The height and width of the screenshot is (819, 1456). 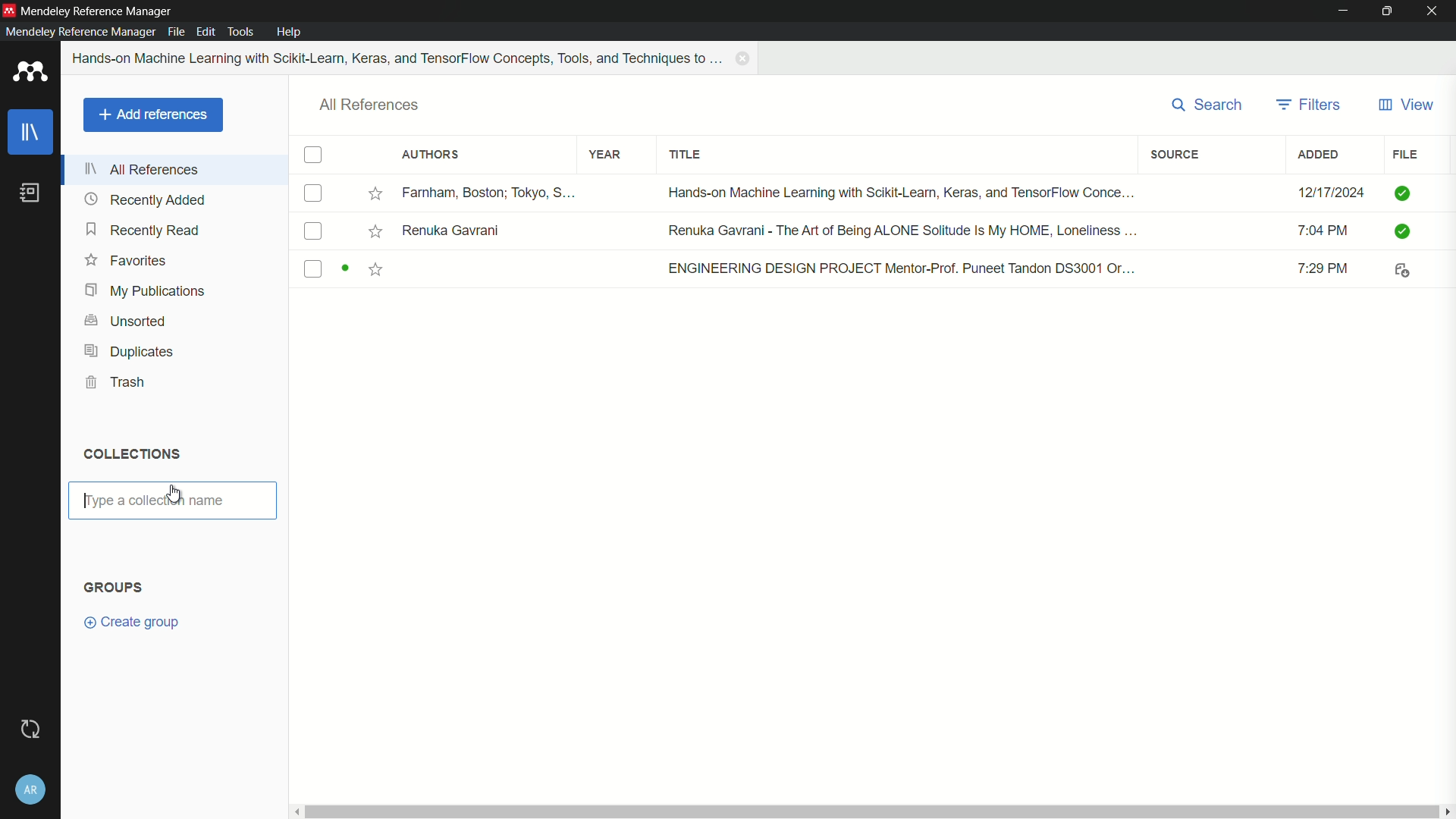 What do you see at coordinates (176, 31) in the screenshot?
I see `file menu` at bounding box center [176, 31].